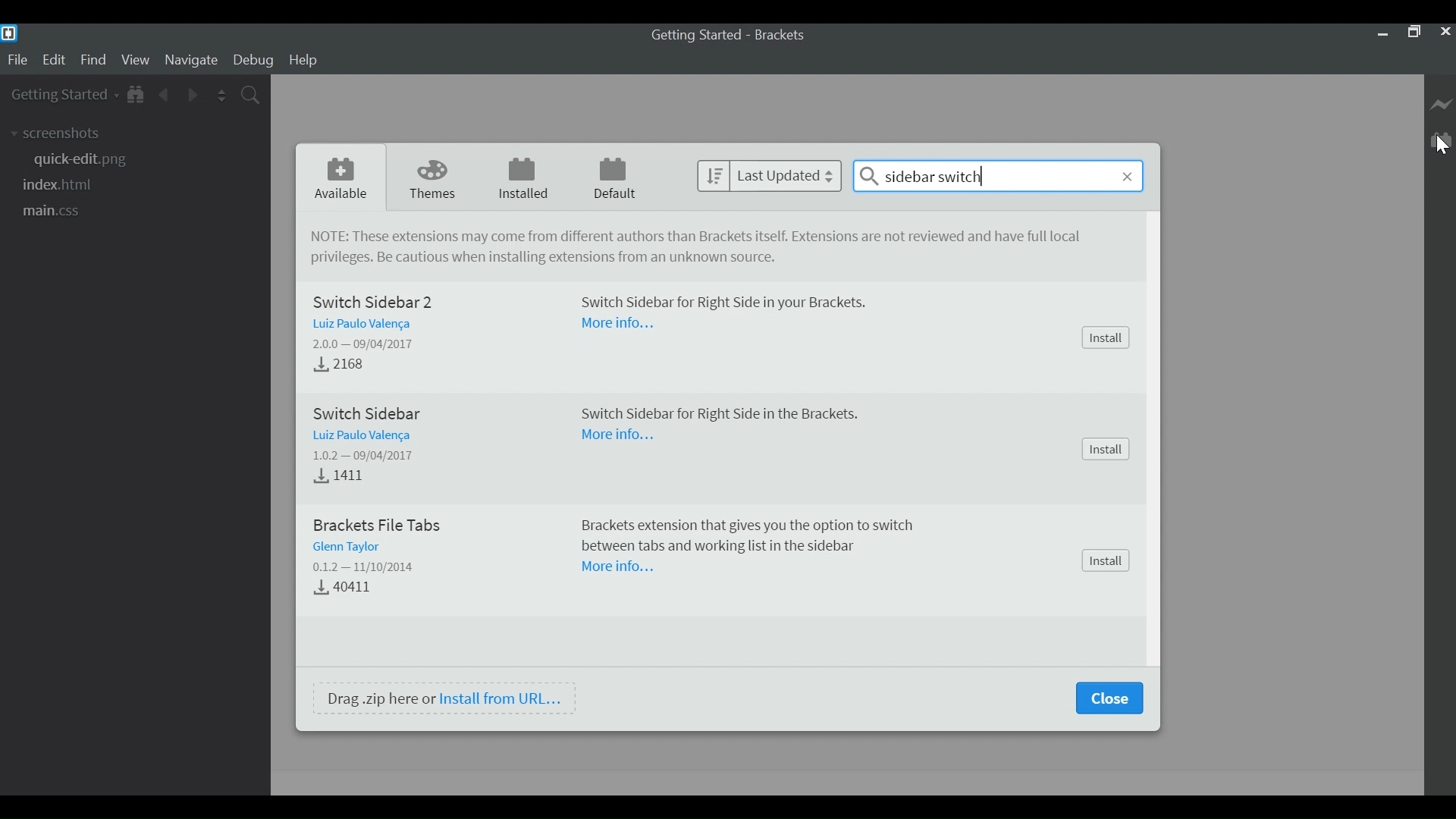 This screenshot has height=819, width=1456. What do you see at coordinates (193, 61) in the screenshot?
I see `Navigate` at bounding box center [193, 61].